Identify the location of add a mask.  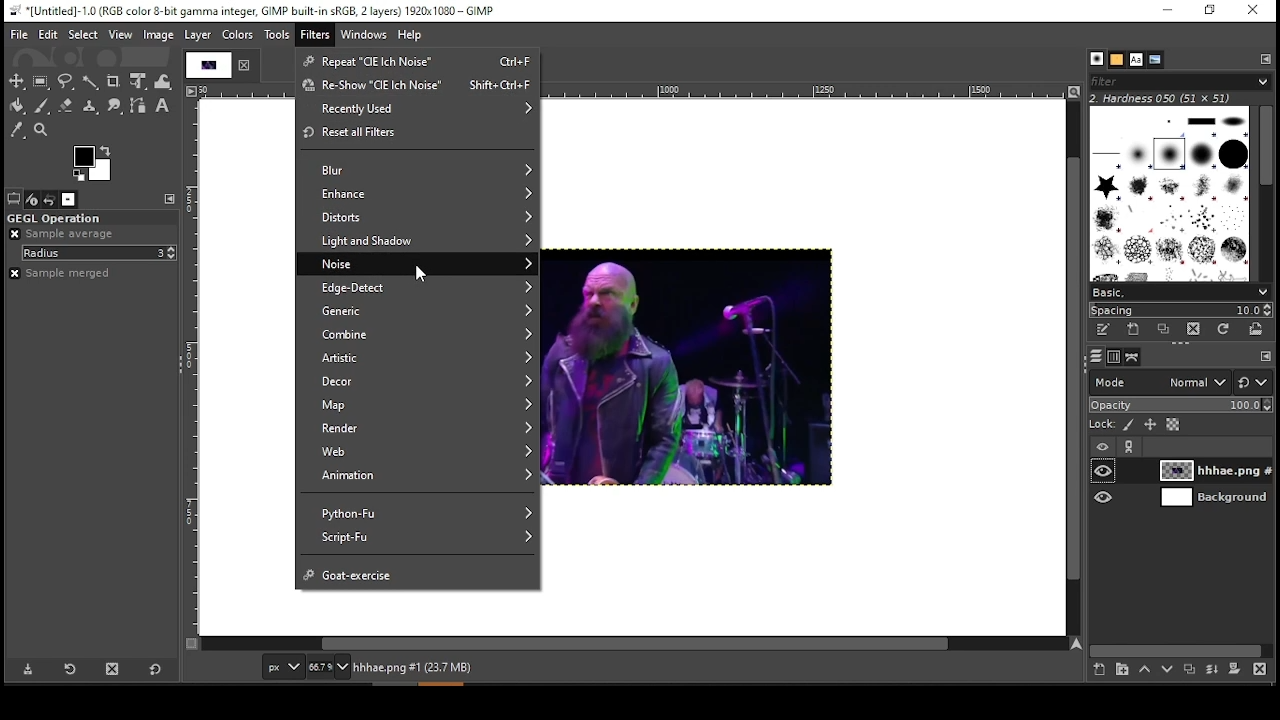
(1234, 670).